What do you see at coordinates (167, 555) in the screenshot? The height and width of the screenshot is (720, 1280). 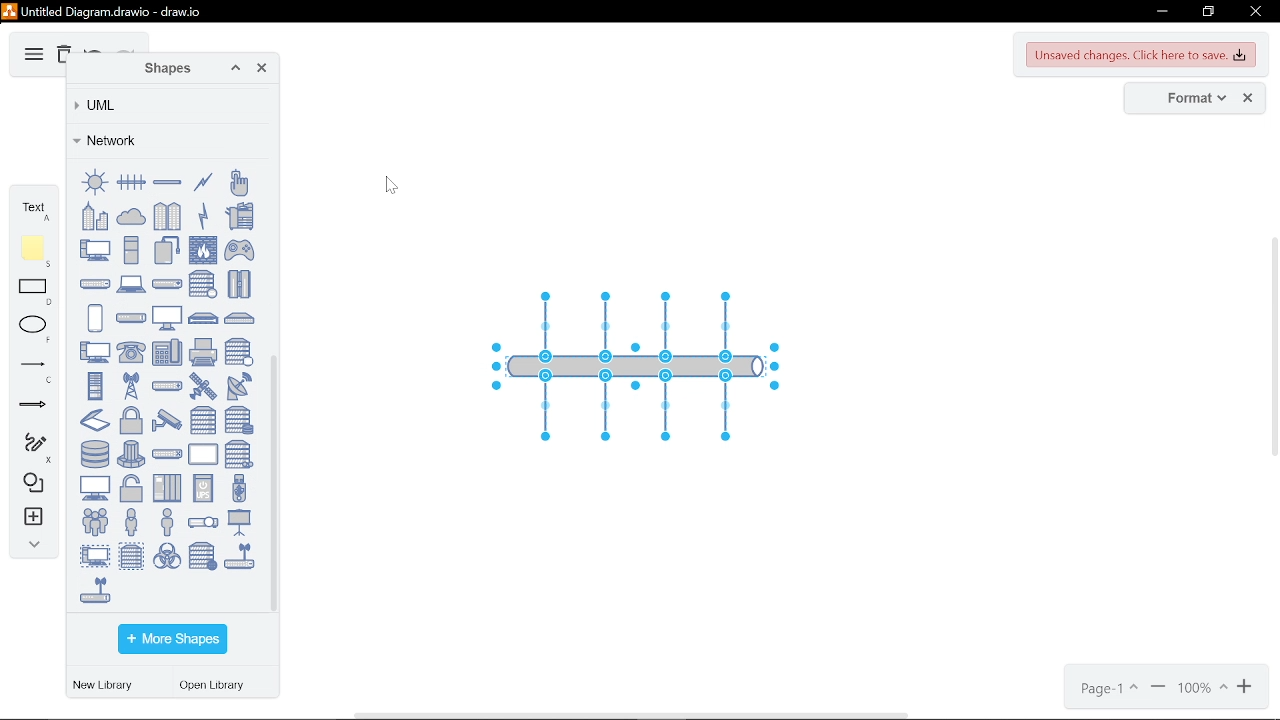 I see `virus` at bounding box center [167, 555].